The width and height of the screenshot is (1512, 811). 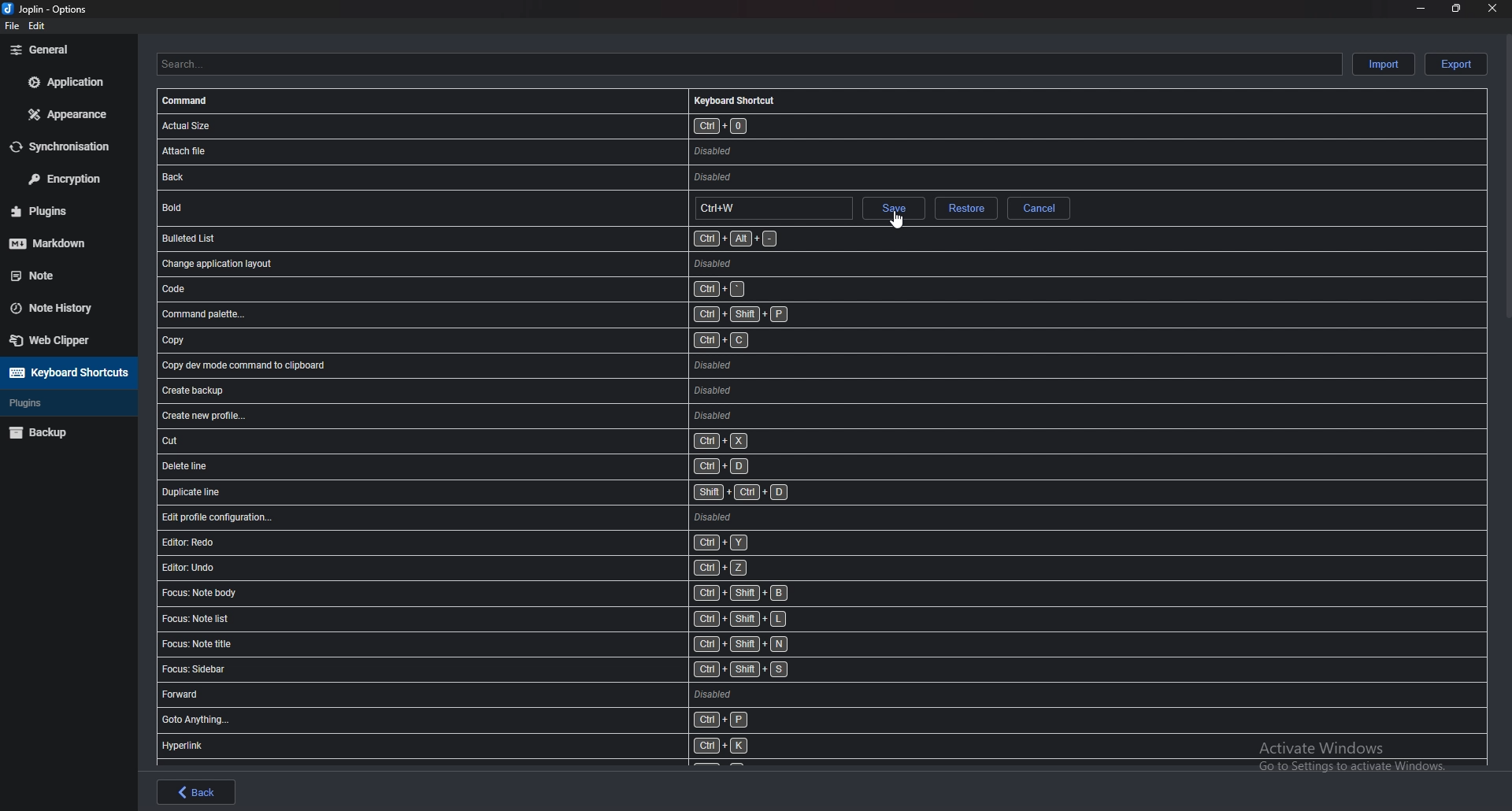 I want to click on shortcut, so click(x=516, y=390).